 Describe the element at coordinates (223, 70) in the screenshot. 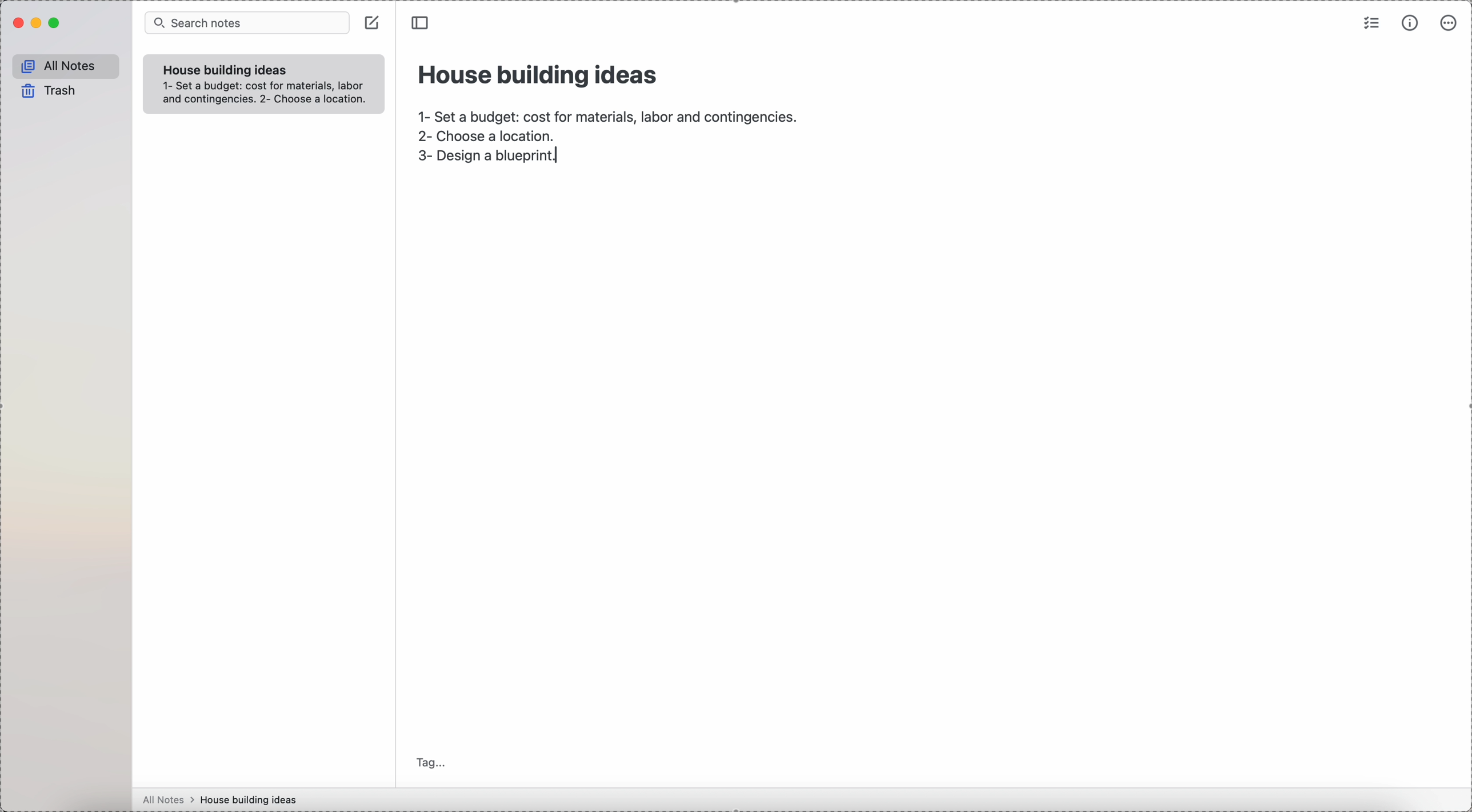

I see `house building ideas` at that location.